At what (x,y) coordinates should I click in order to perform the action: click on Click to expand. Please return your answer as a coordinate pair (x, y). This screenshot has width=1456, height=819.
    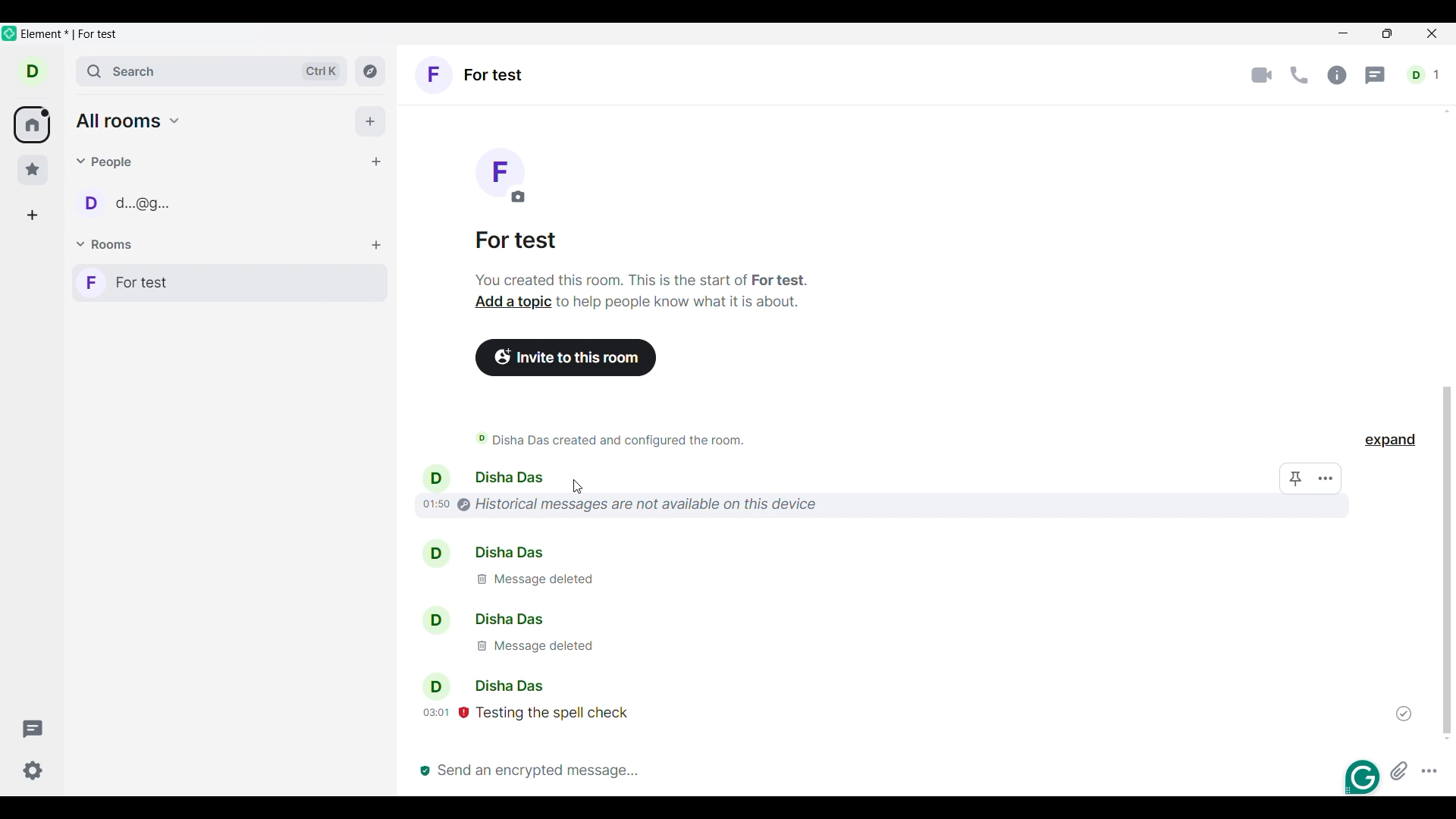
    Looking at the image, I should click on (1390, 440).